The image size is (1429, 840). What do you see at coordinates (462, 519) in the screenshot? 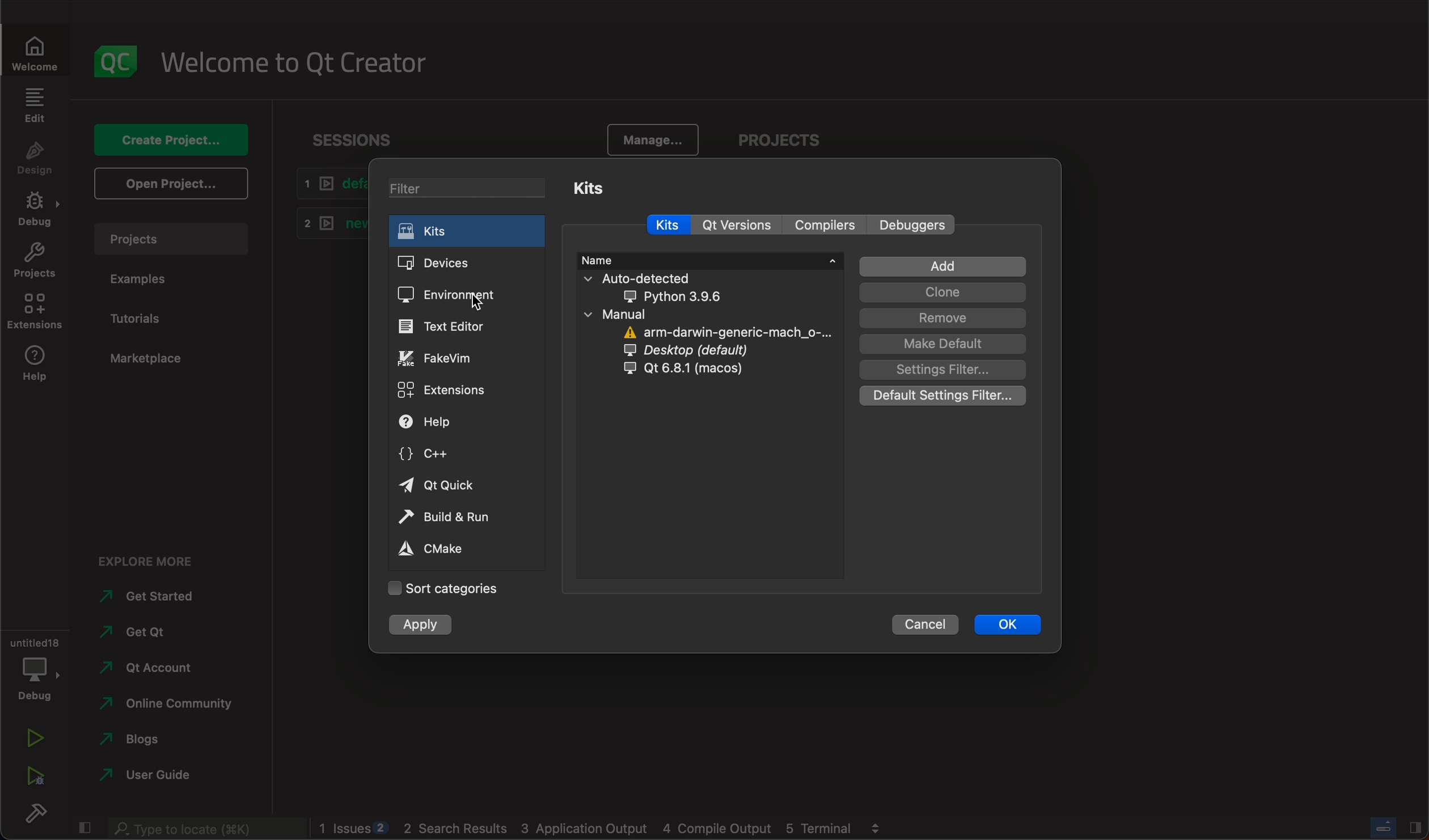
I see `build and run` at bounding box center [462, 519].